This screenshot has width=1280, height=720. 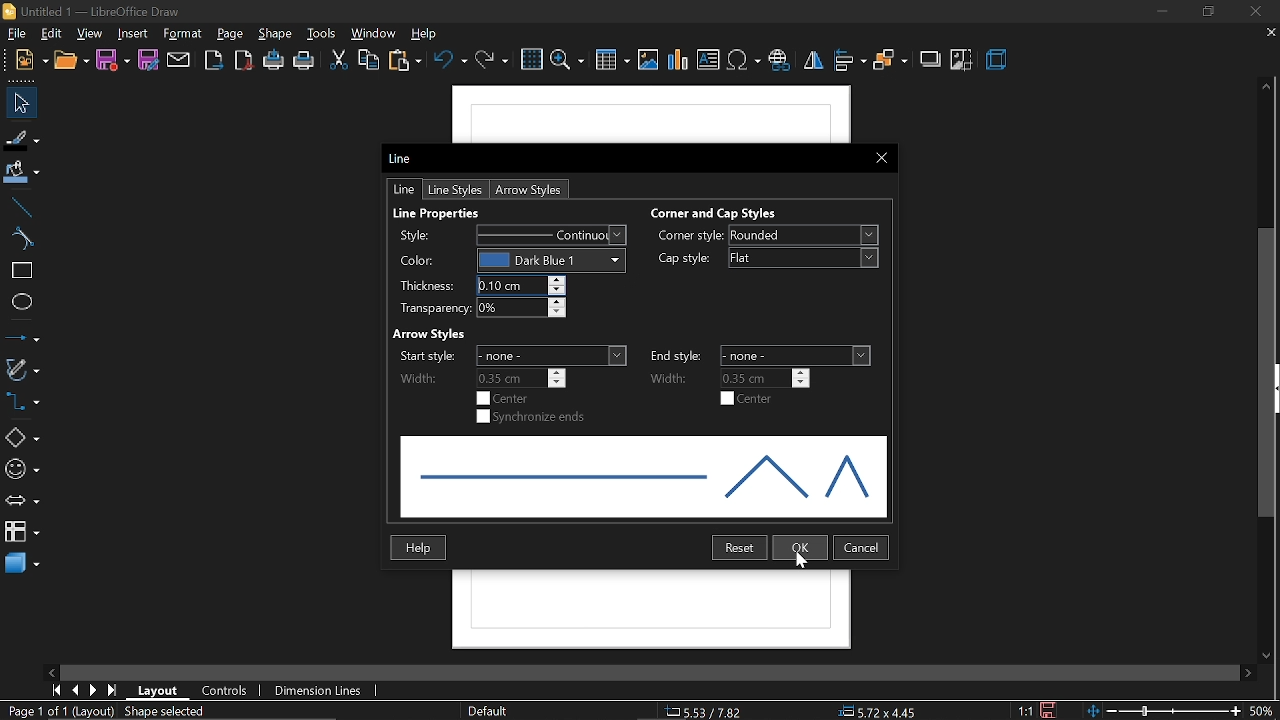 What do you see at coordinates (274, 62) in the screenshot?
I see `print directly` at bounding box center [274, 62].